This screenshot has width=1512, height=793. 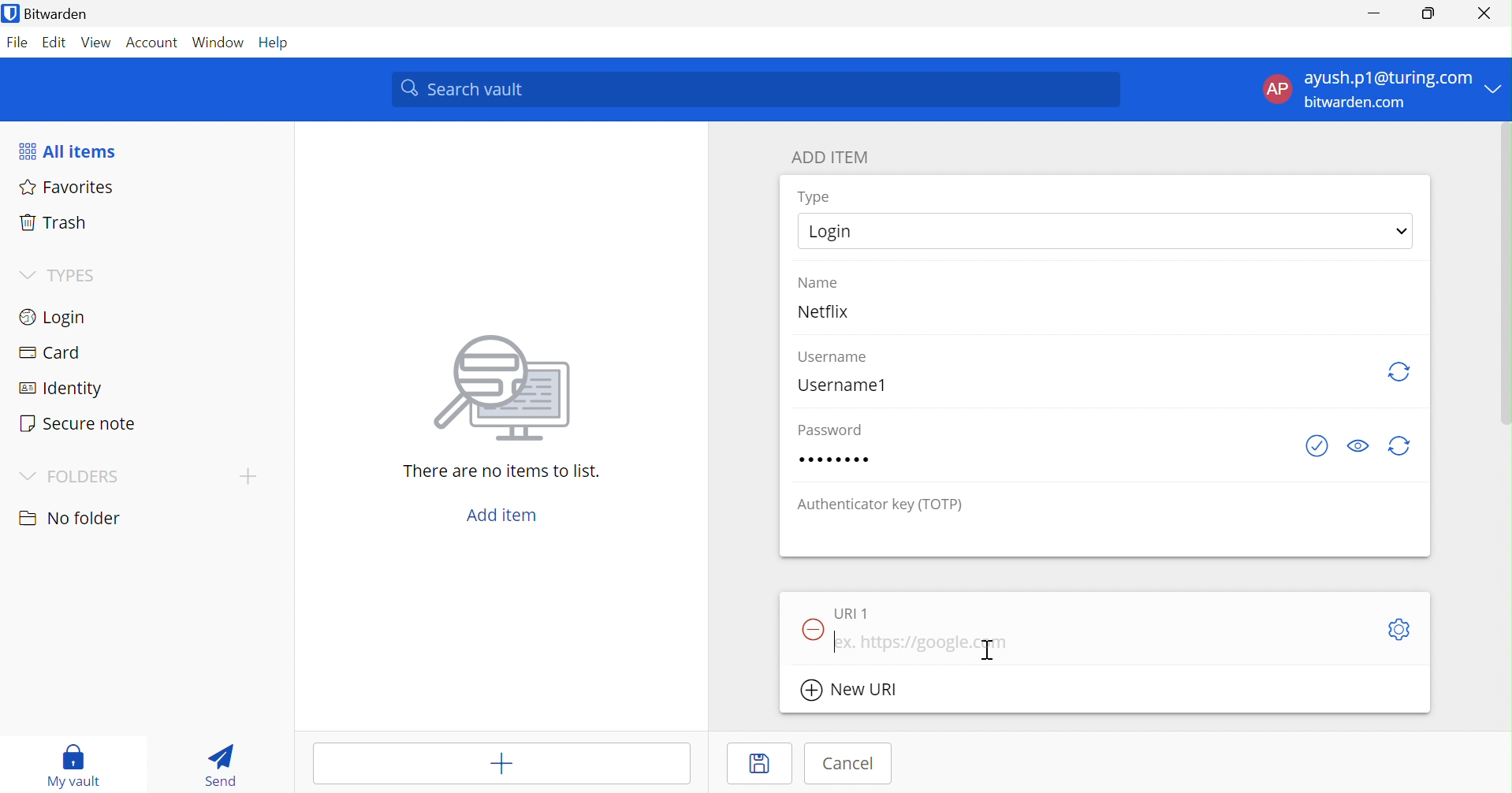 What do you see at coordinates (56, 43) in the screenshot?
I see `Edit` at bounding box center [56, 43].